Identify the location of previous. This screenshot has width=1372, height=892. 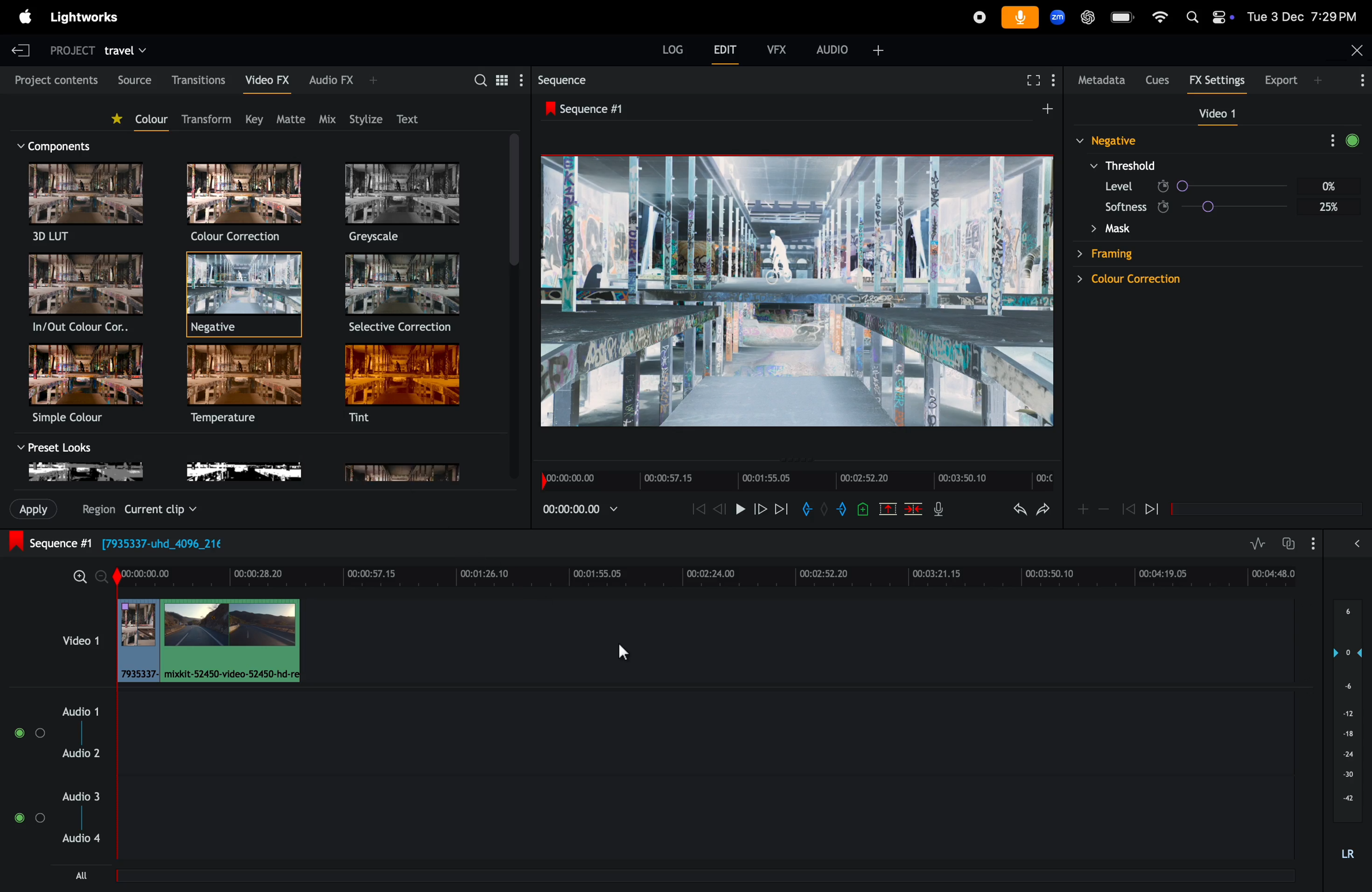
(1128, 508).